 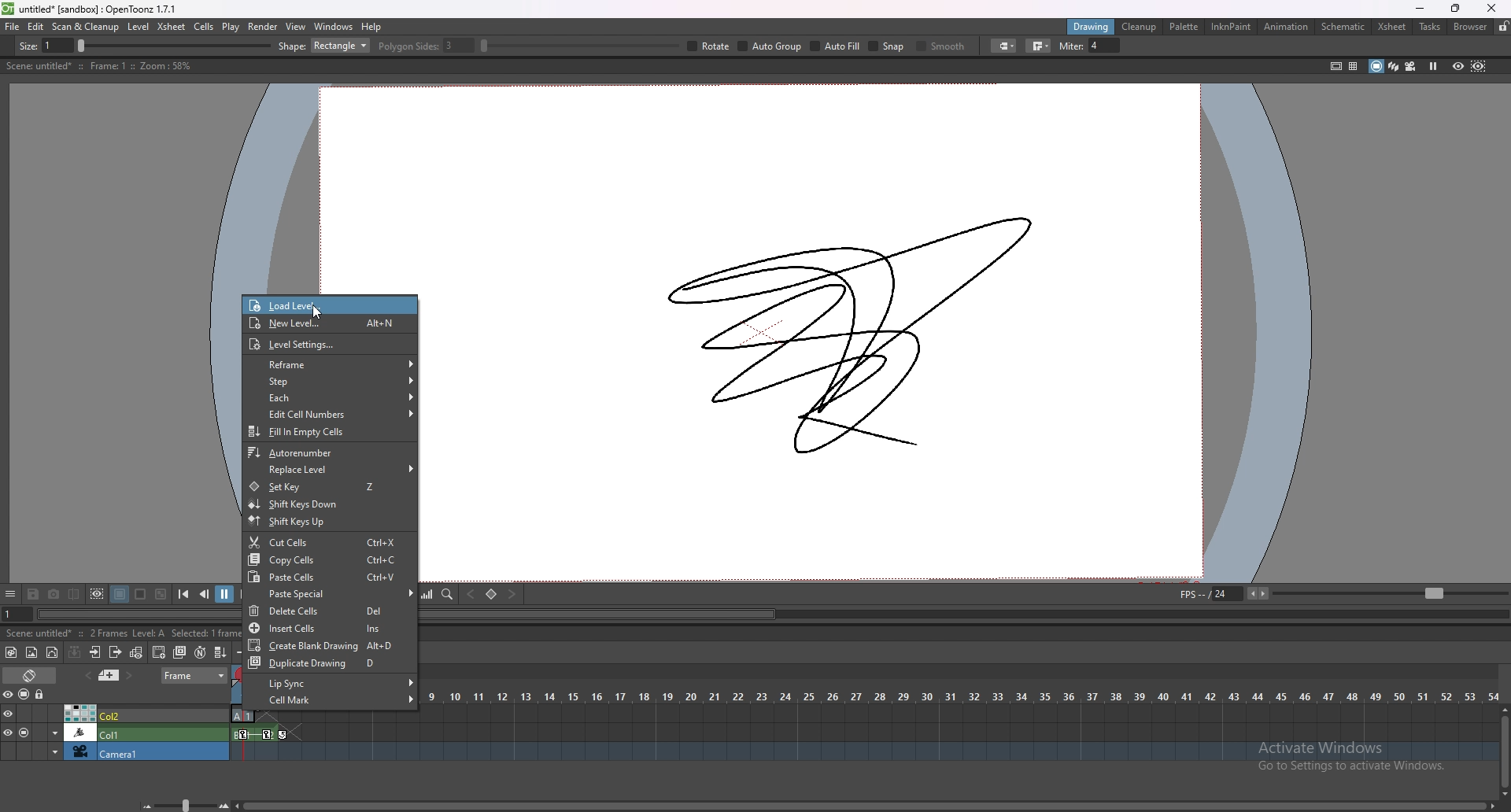 I want to click on smooth, so click(x=1217, y=47).